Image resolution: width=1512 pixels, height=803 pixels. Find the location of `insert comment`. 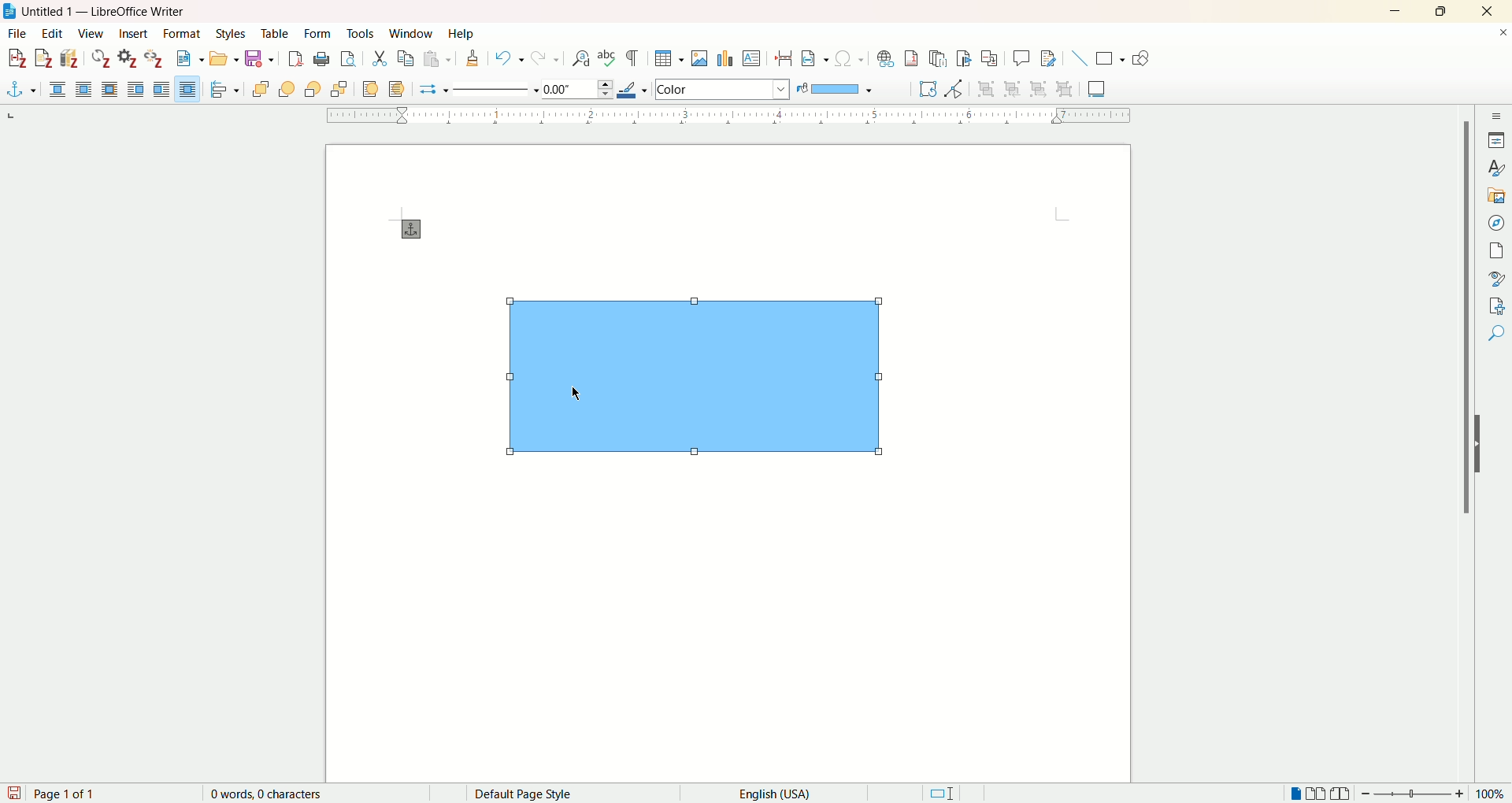

insert comment is located at coordinates (1020, 58).